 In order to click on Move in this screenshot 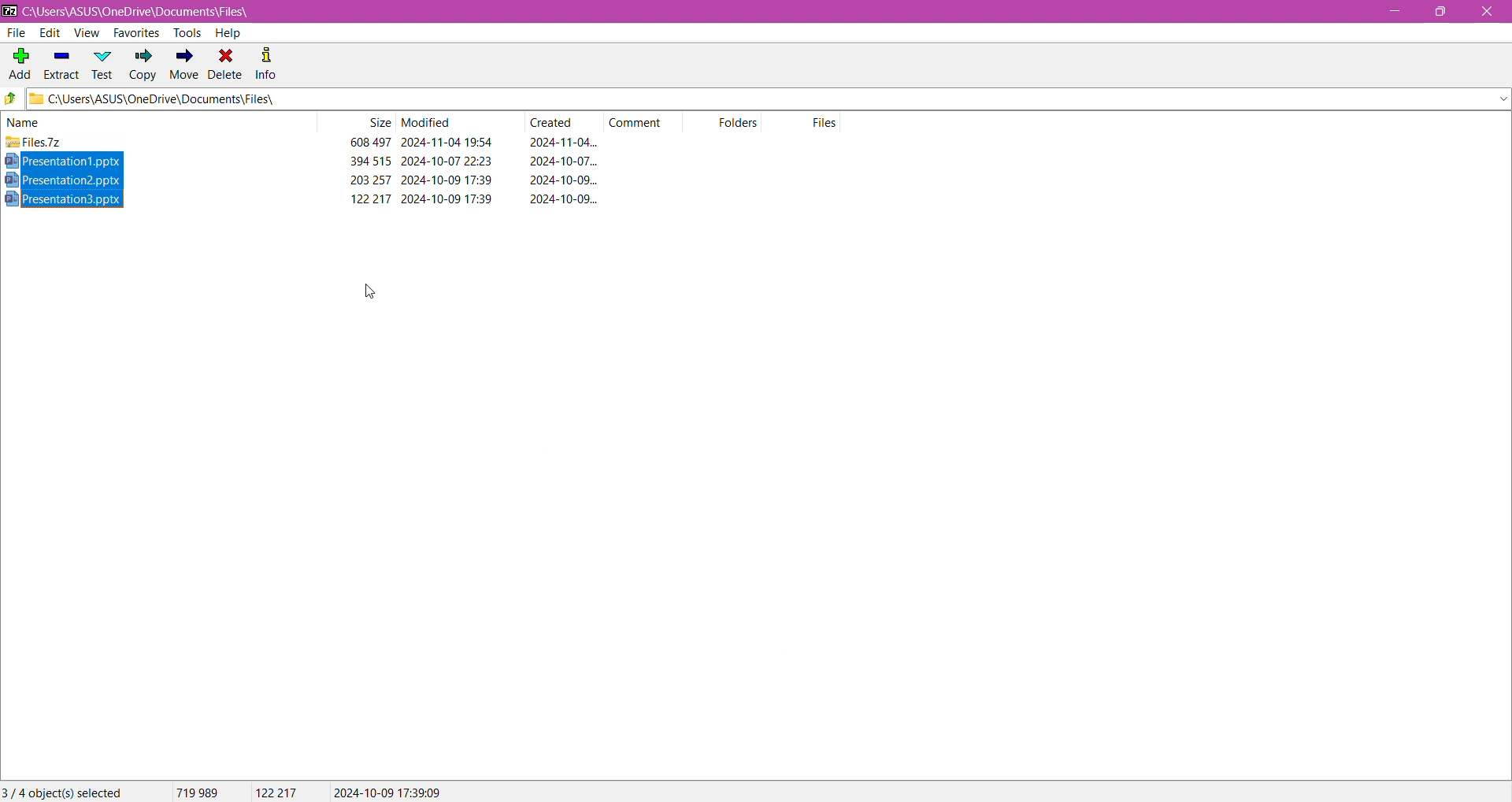, I will do `click(182, 65)`.